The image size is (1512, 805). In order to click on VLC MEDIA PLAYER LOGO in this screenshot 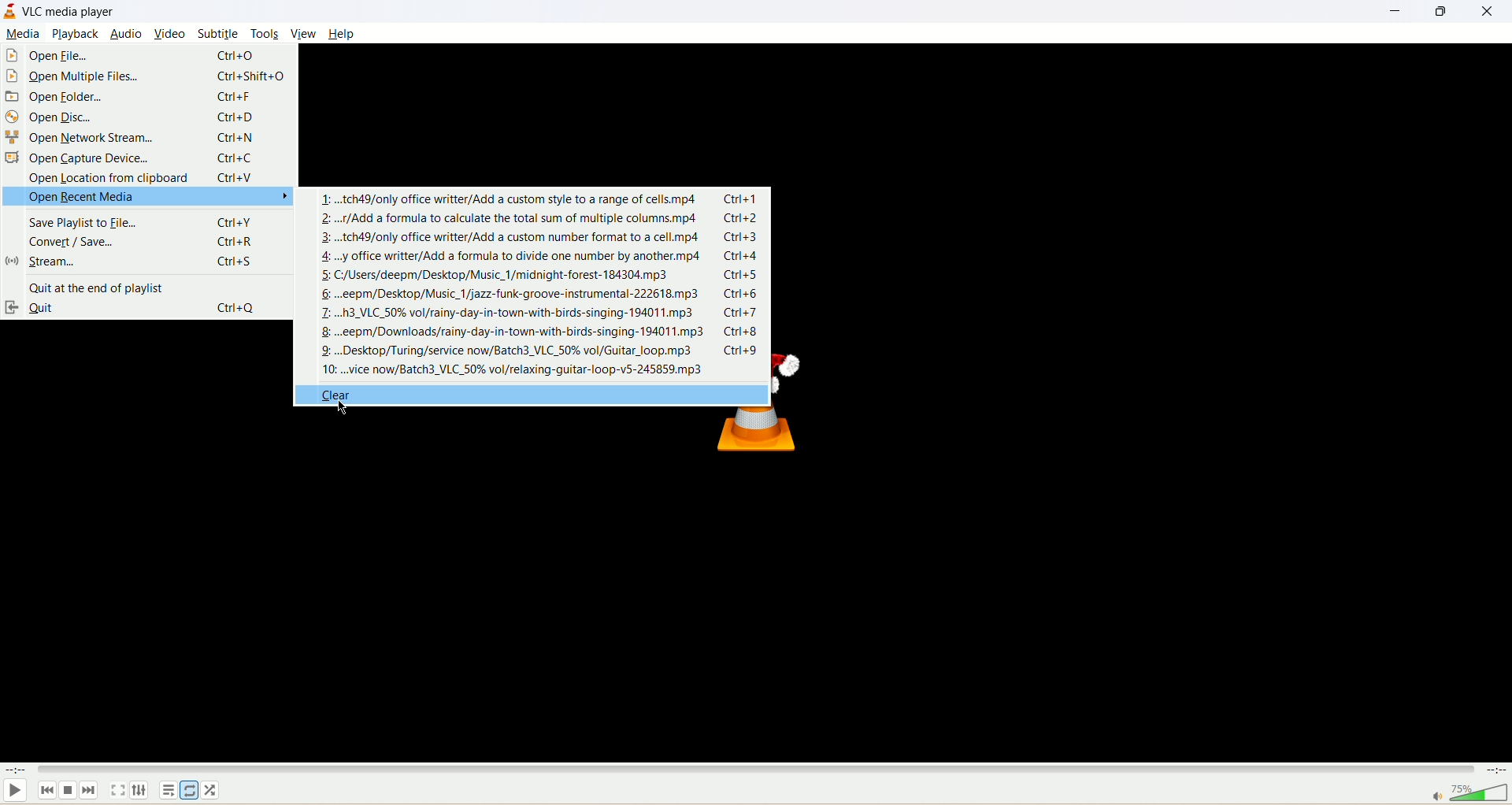, I will do `click(772, 440)`.